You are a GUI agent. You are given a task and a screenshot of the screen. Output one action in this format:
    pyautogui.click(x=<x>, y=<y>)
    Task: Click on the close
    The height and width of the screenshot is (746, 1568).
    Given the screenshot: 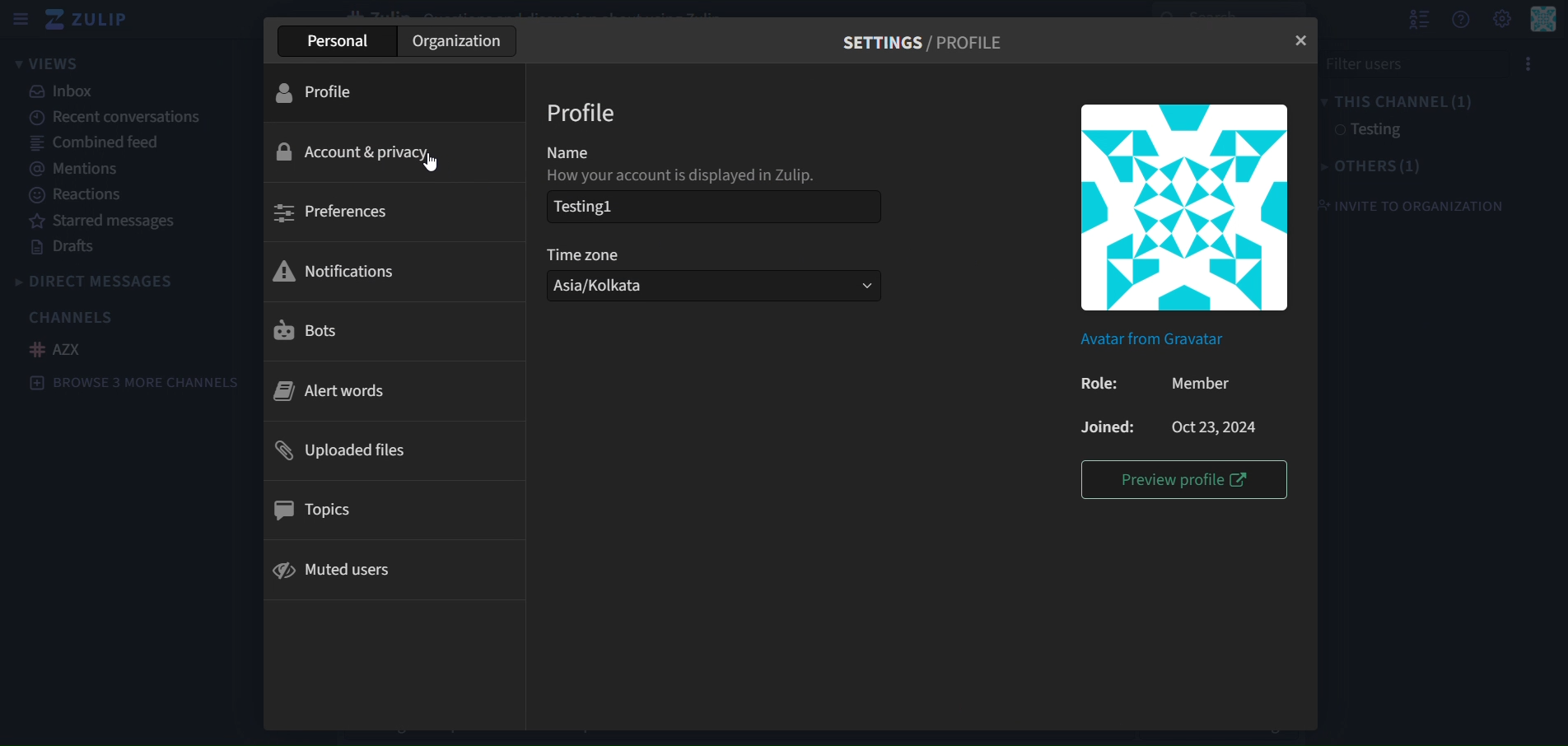 What is the action you would take?
    pyautogui.click(x=1303, y=39)
    